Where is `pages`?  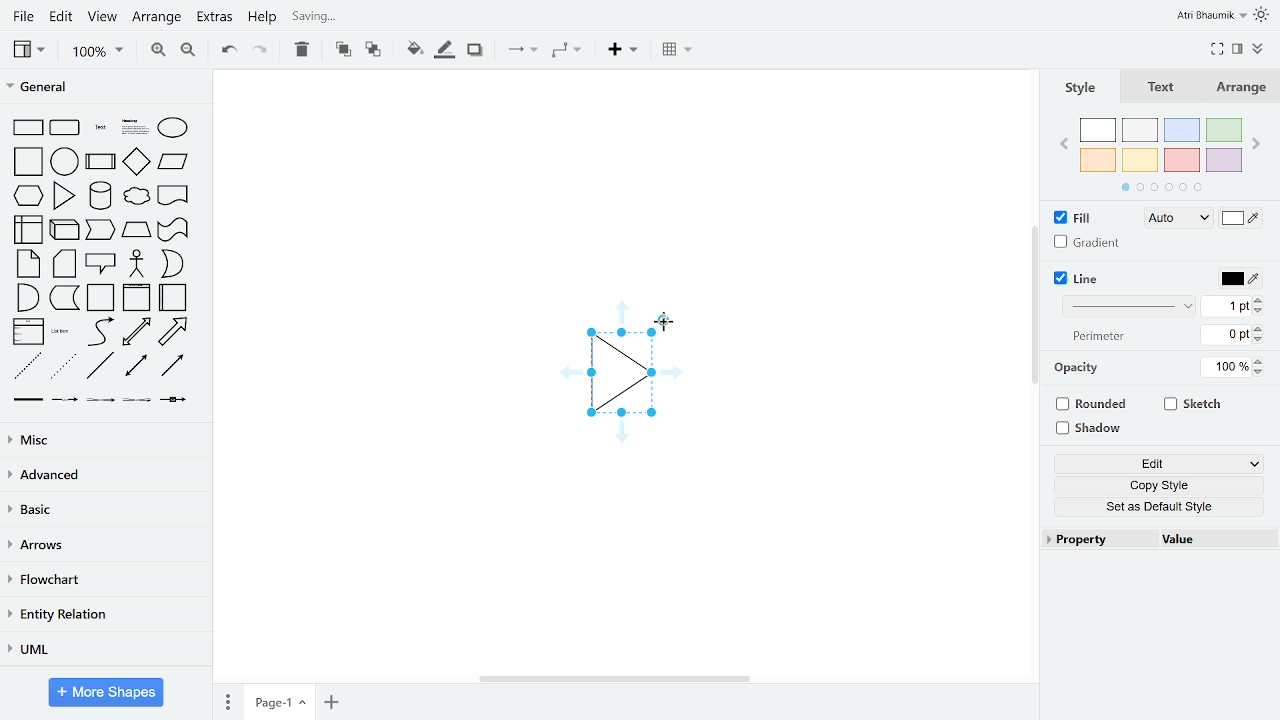 pages is located at coordinates (227, 701).